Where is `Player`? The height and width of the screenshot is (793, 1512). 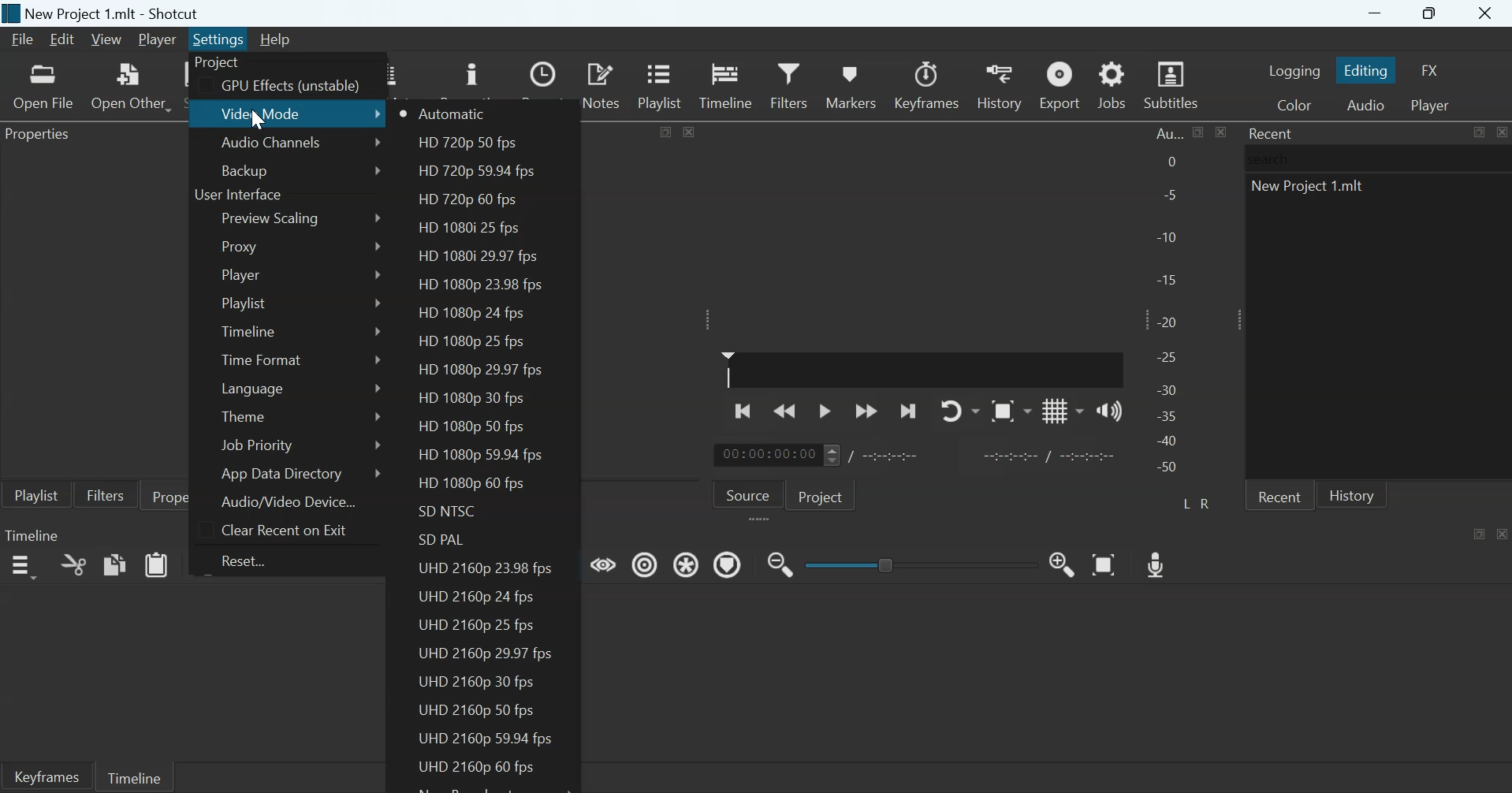 Player is located at coordinates (158, 40).